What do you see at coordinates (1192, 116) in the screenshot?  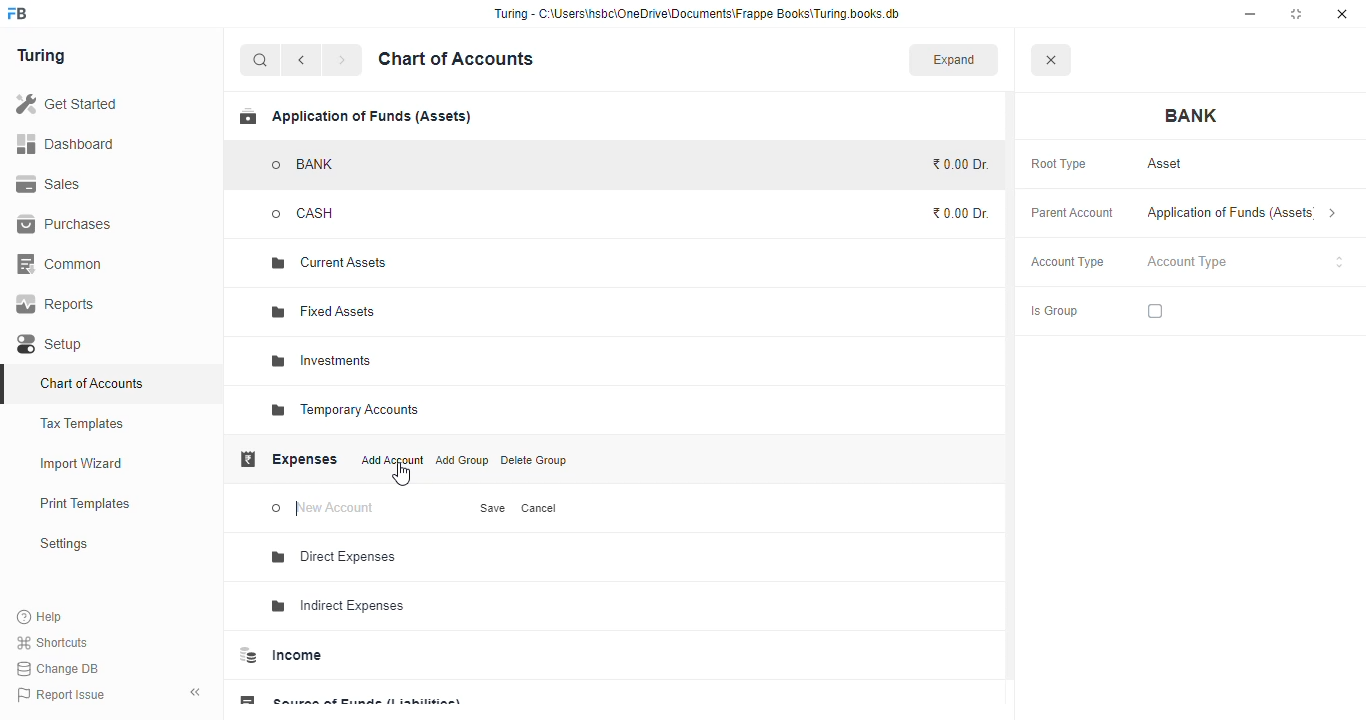 I see `bank` at bounding box center [1192, 116].